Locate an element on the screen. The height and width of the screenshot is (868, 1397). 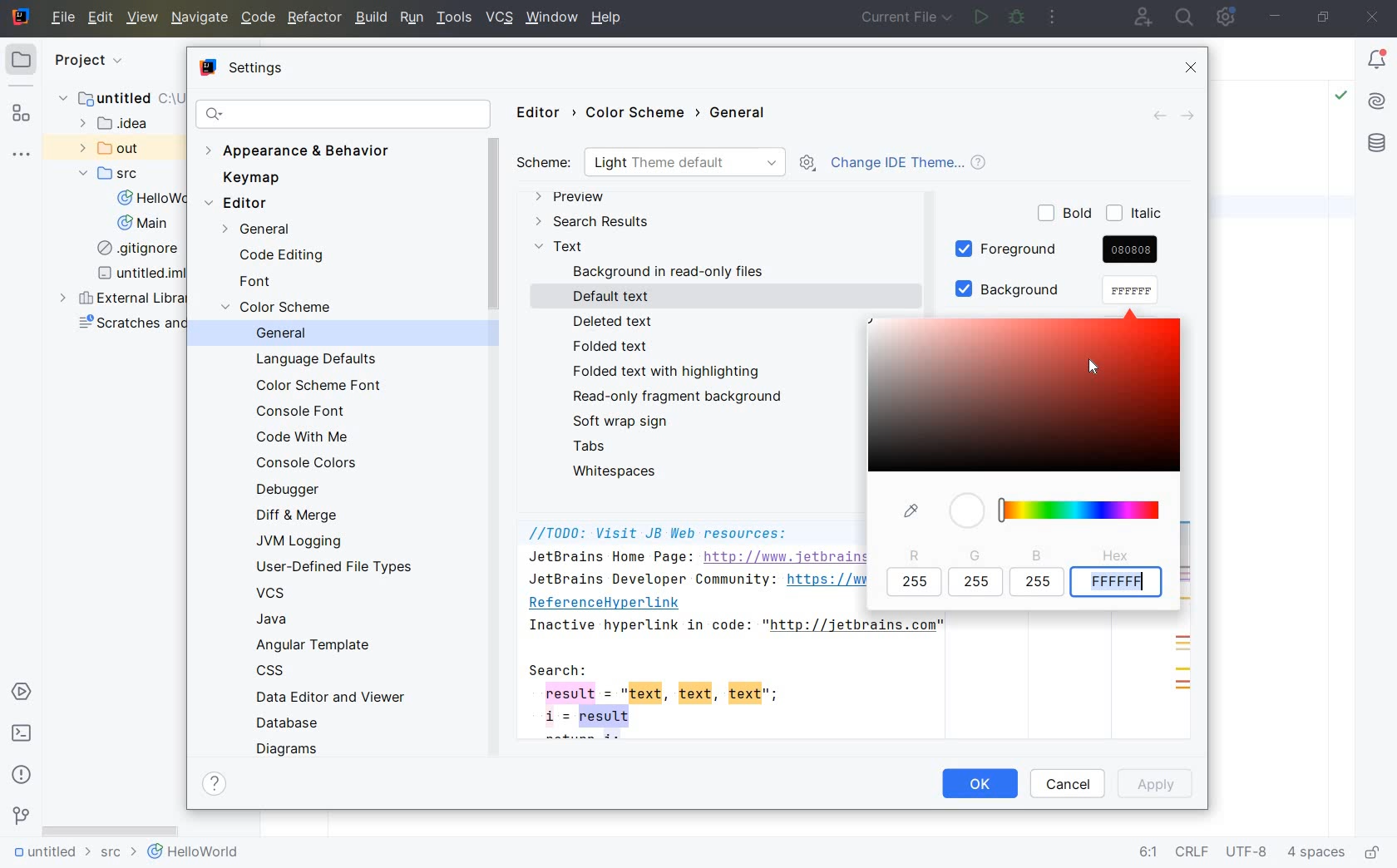
TEXT is located at coordinates (560, 248).